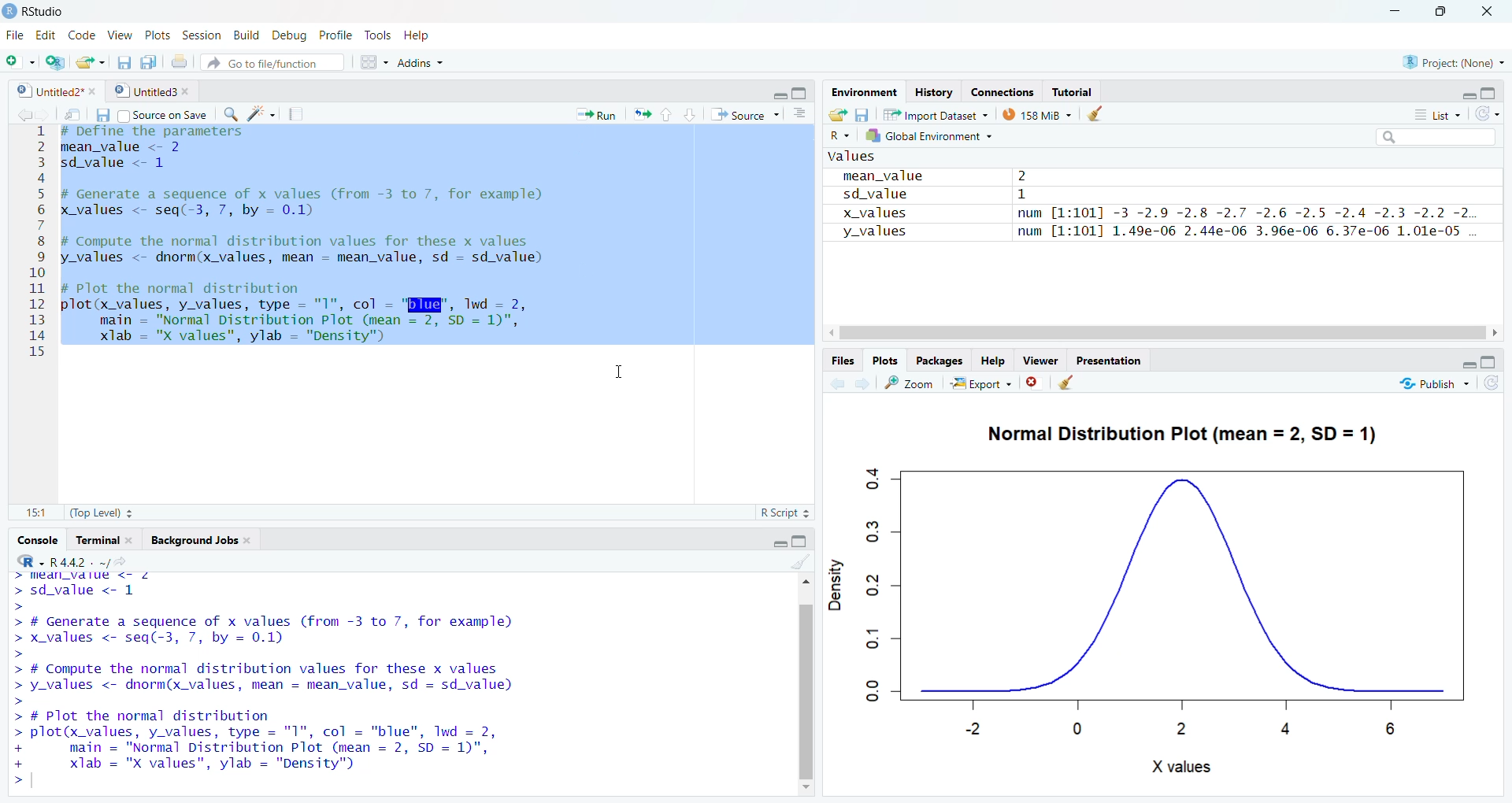  What do you see at coordinates (862, 91) in the screenshot?
I see `Environment` at bounding box center [862, 91].